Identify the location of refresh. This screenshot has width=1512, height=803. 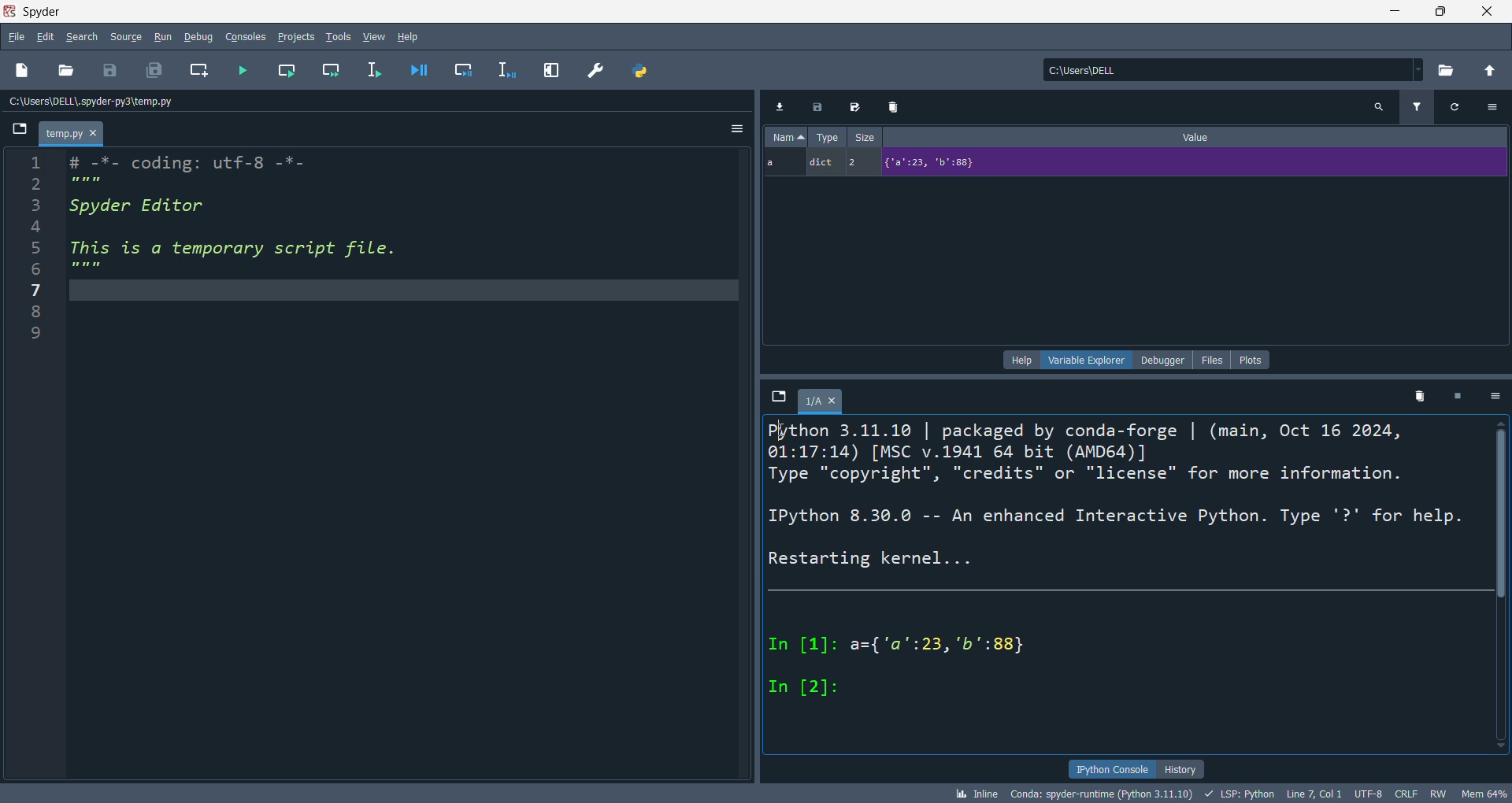
(1462, 107).